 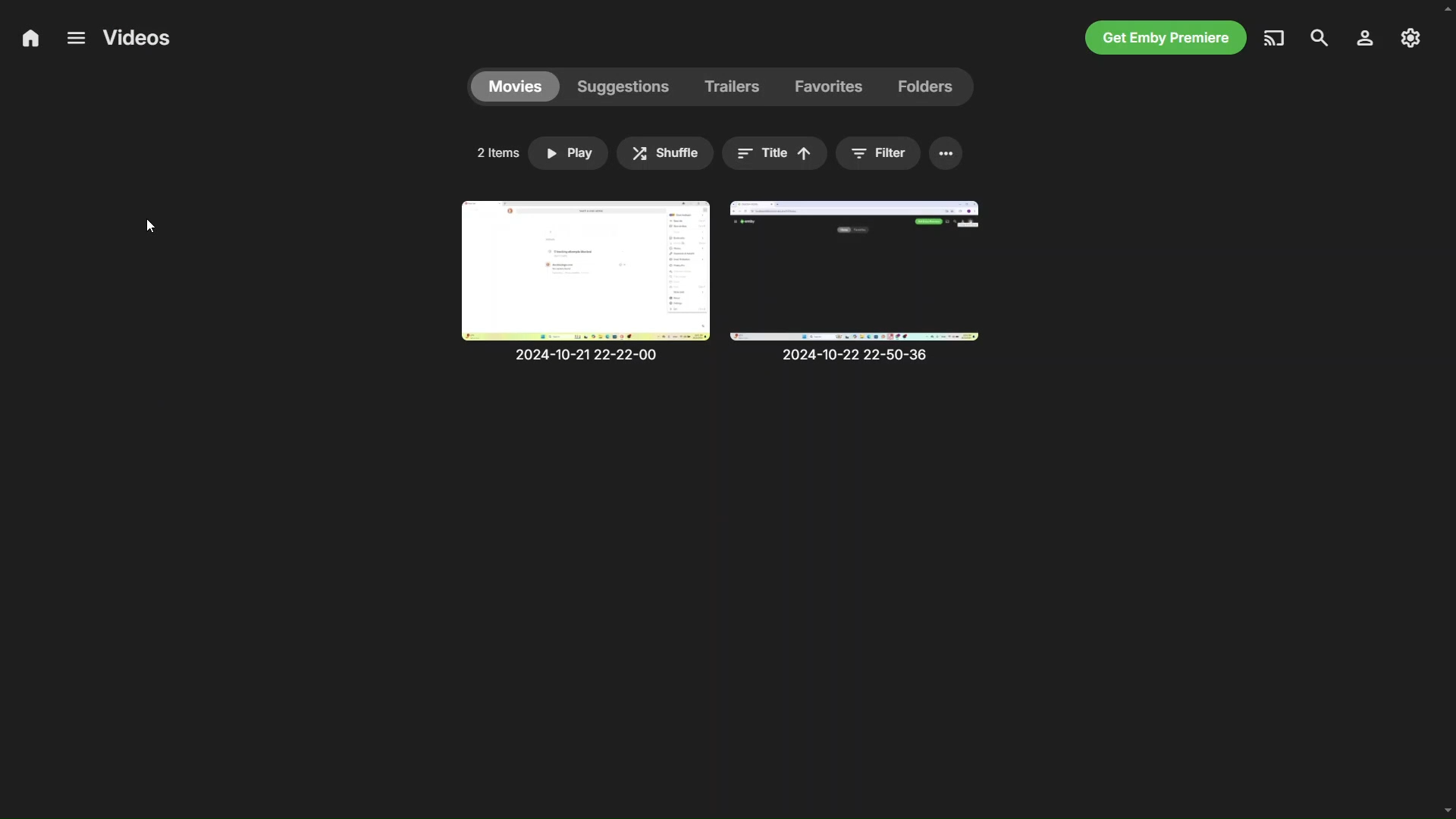 I want to click on movies, so click(x=518, y=86).